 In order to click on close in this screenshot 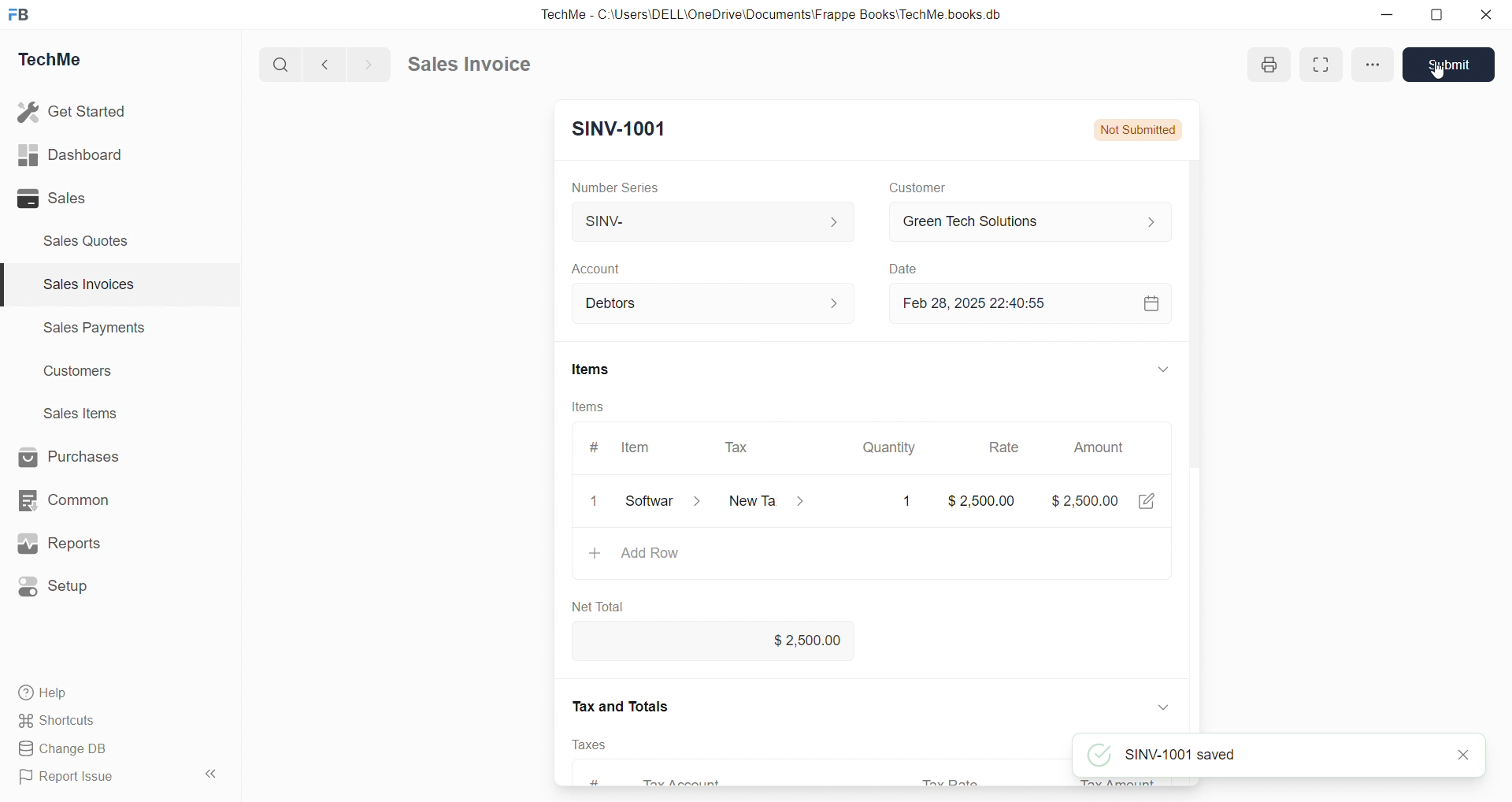, I will do `click(1462, 754)`.